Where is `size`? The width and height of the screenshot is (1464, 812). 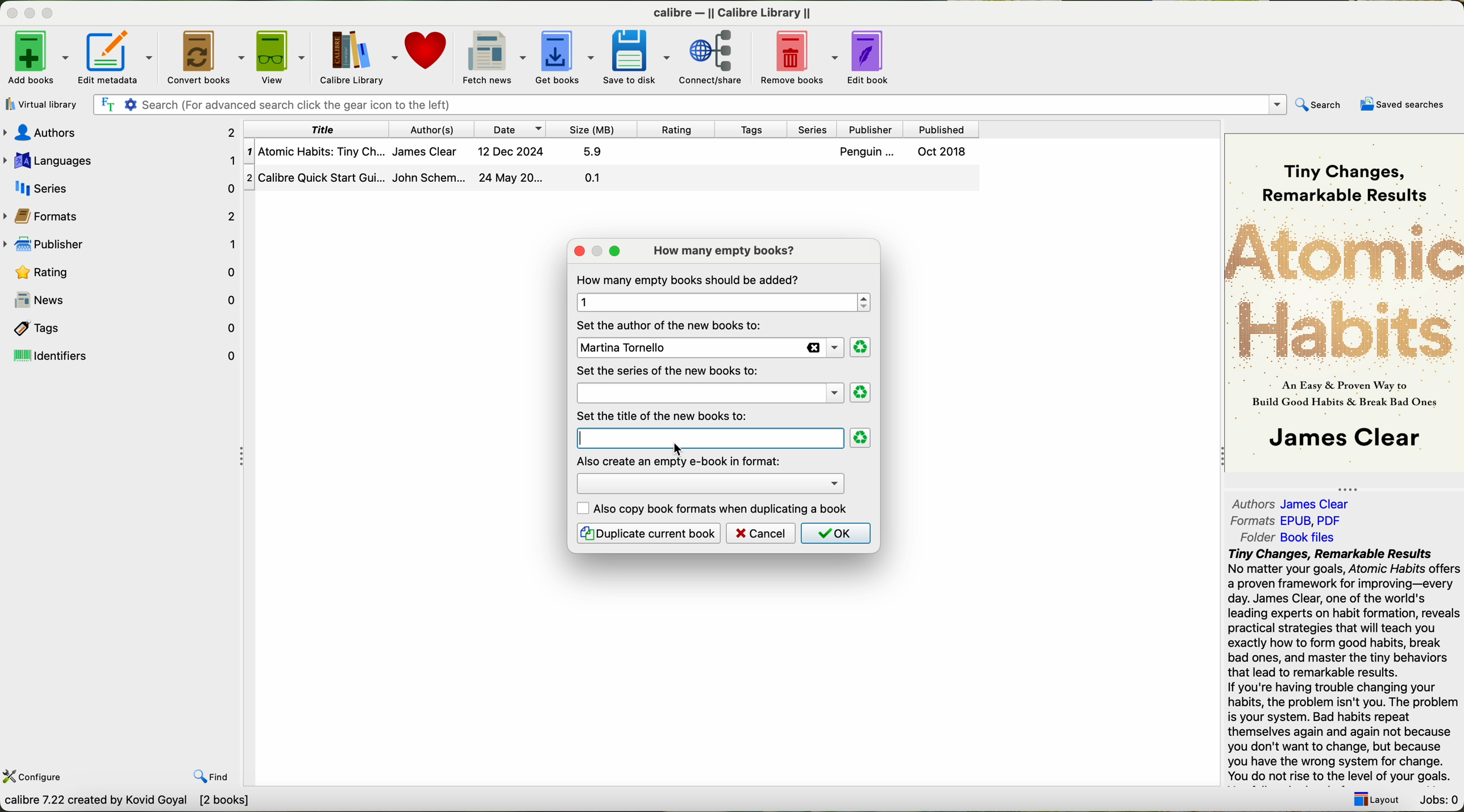
size is located at coordinates (592, 130).